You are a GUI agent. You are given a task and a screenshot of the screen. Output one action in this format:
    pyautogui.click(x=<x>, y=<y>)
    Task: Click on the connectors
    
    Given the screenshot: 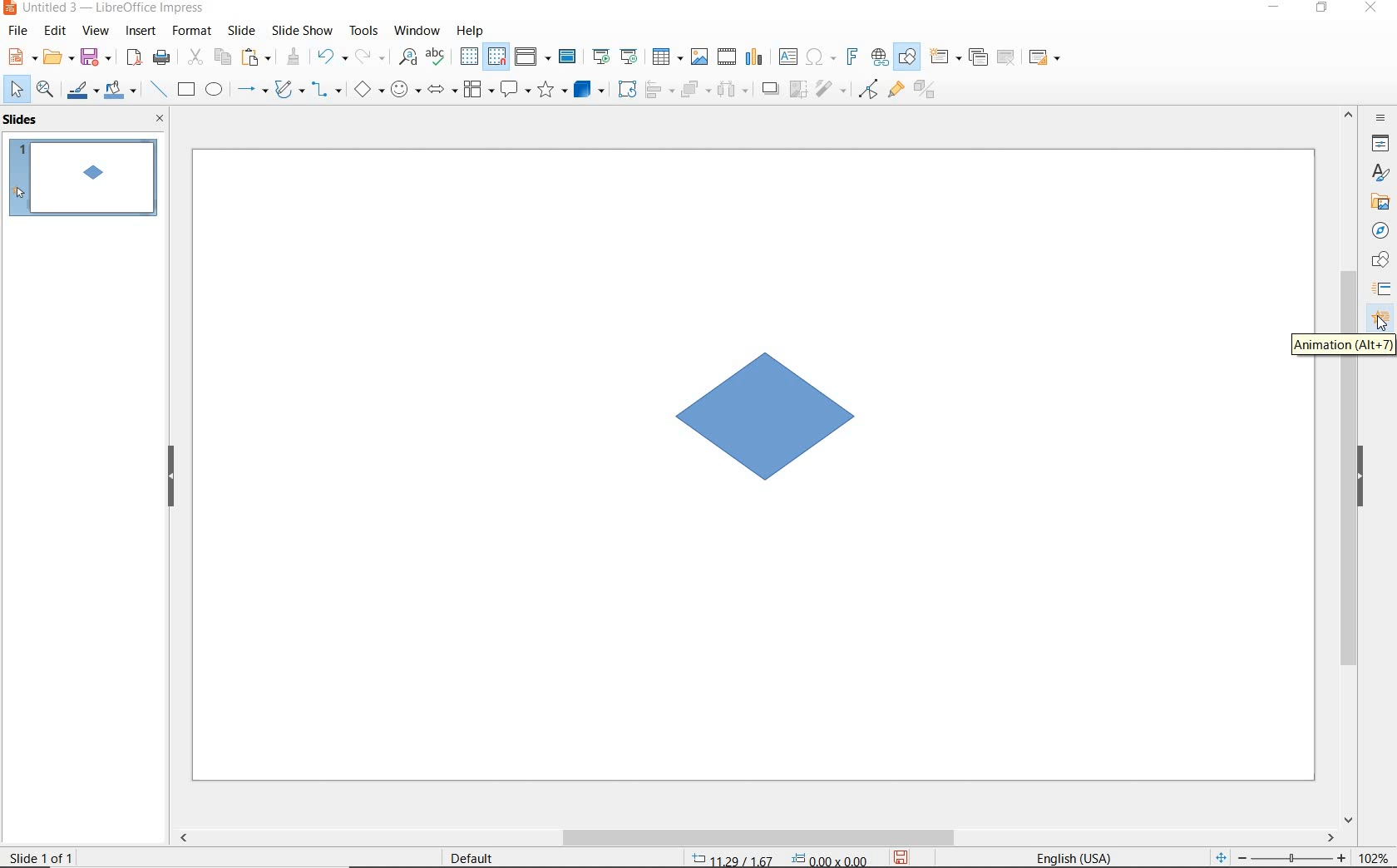 What is the action you would take?
    pyautogui.click(x=327, y=89)
    